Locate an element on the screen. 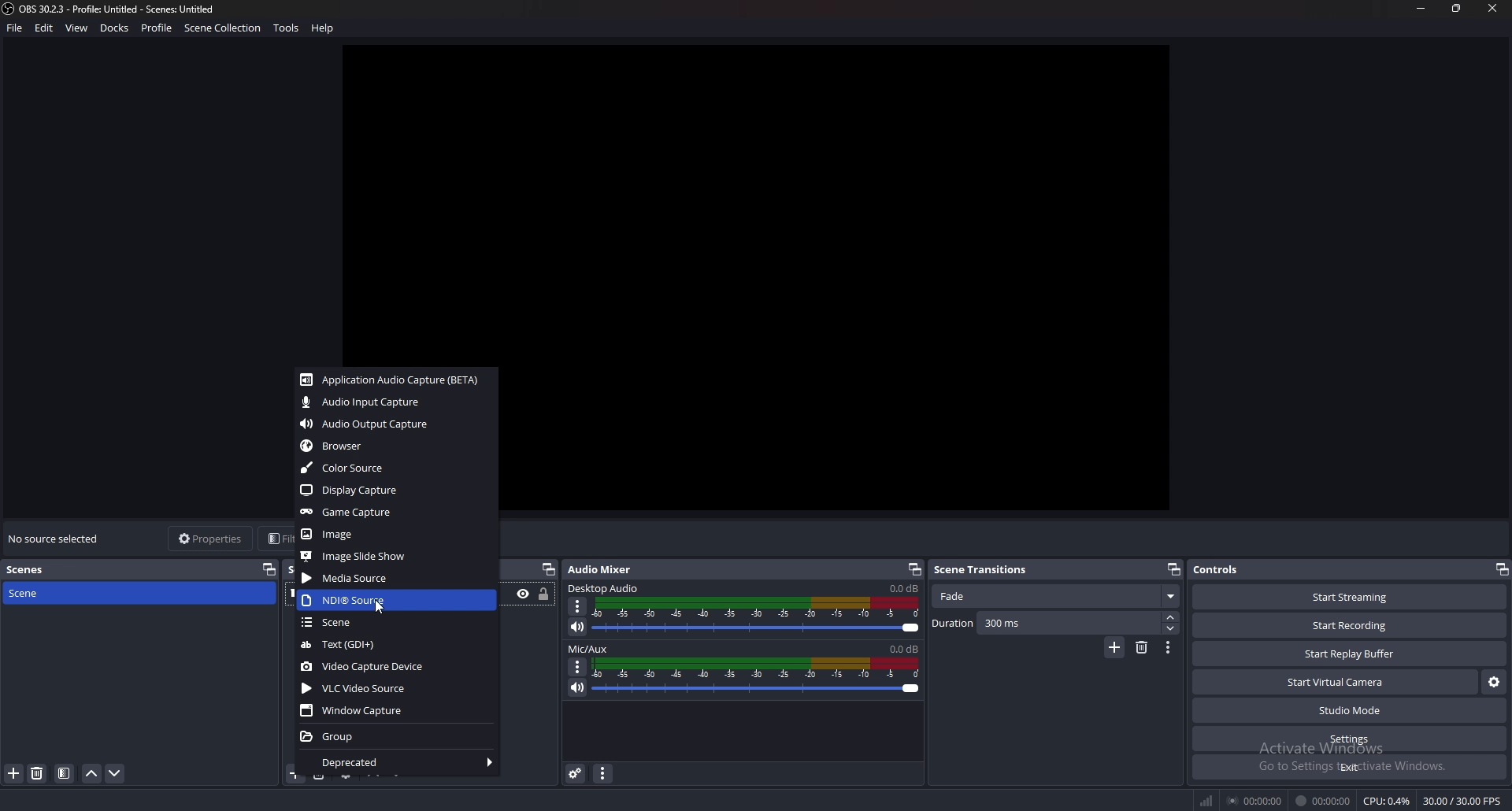  controls is located at coordinates (1237, 568).